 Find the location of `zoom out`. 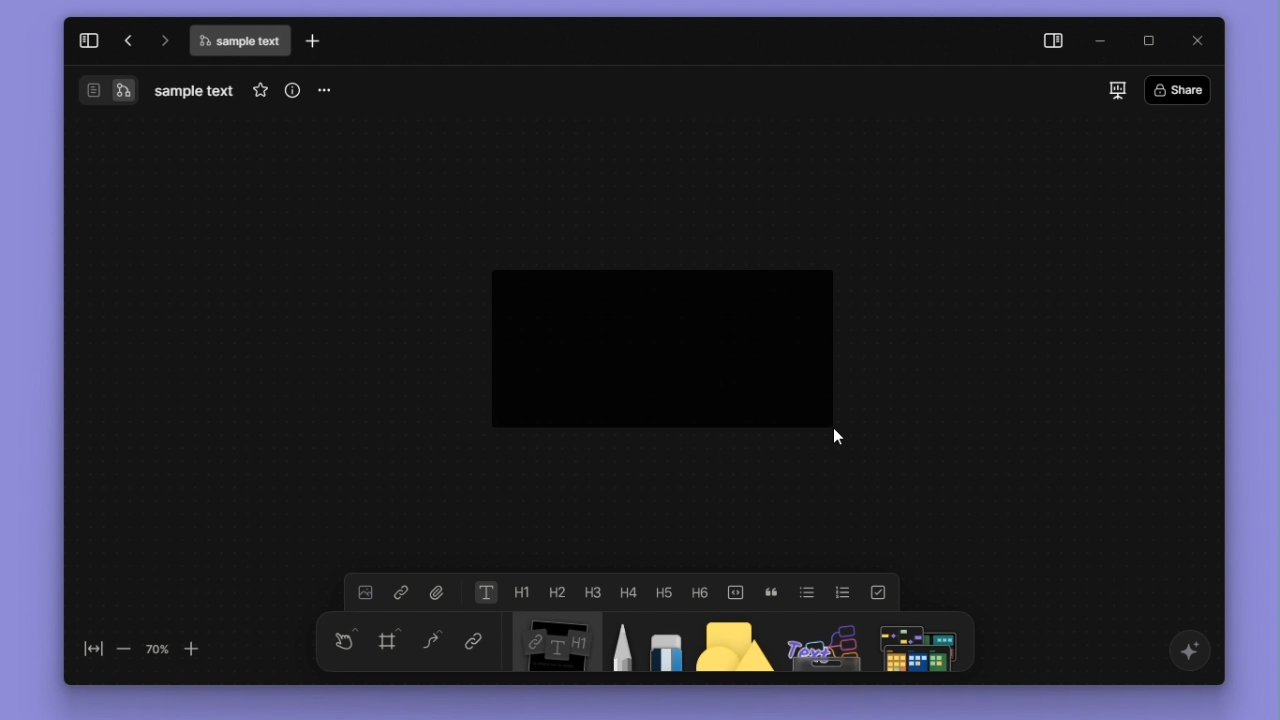

zoom out is located at coordinates (124, 650).